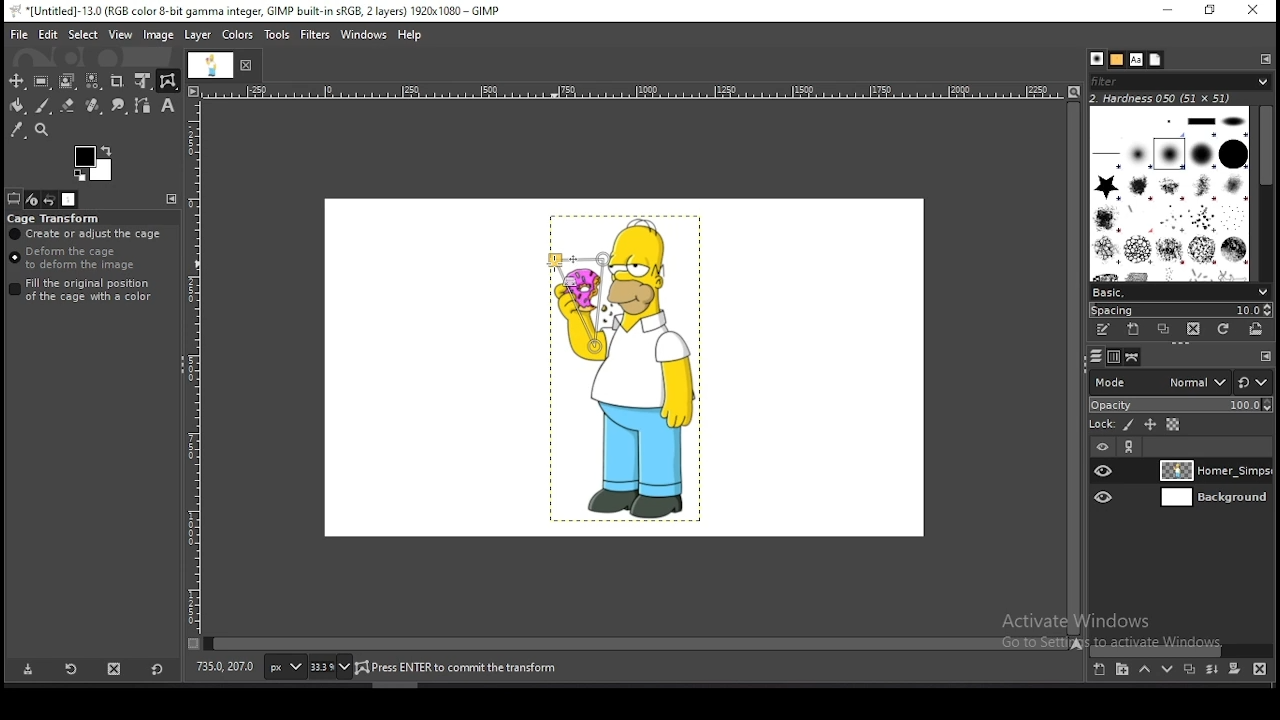 Image resolution: width=1280 pixels, height=720 pixels. Describe the element at coordinates (553, 264) in the screenshot. I see `mouse pointer` at that location.